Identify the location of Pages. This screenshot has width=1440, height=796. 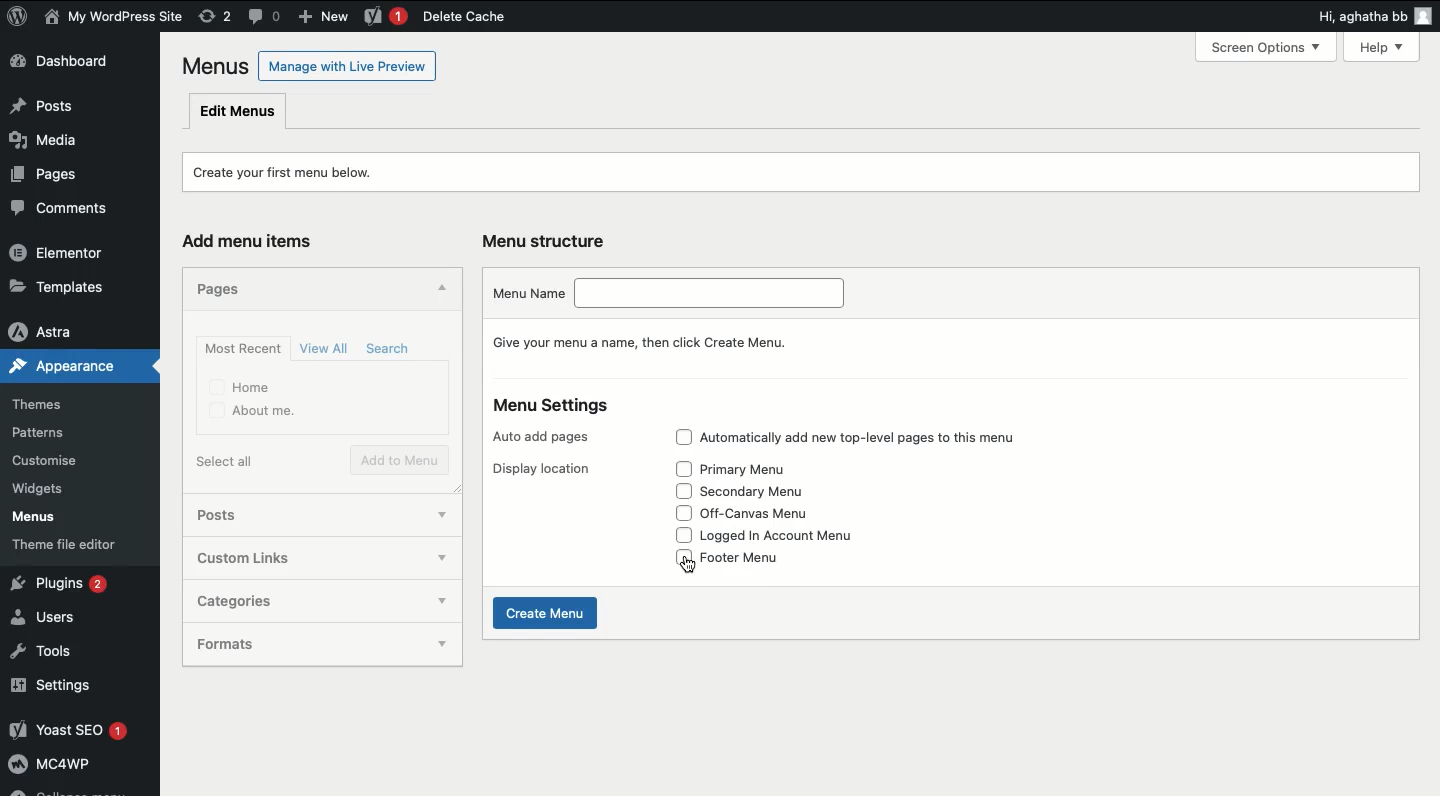
(215, 289).